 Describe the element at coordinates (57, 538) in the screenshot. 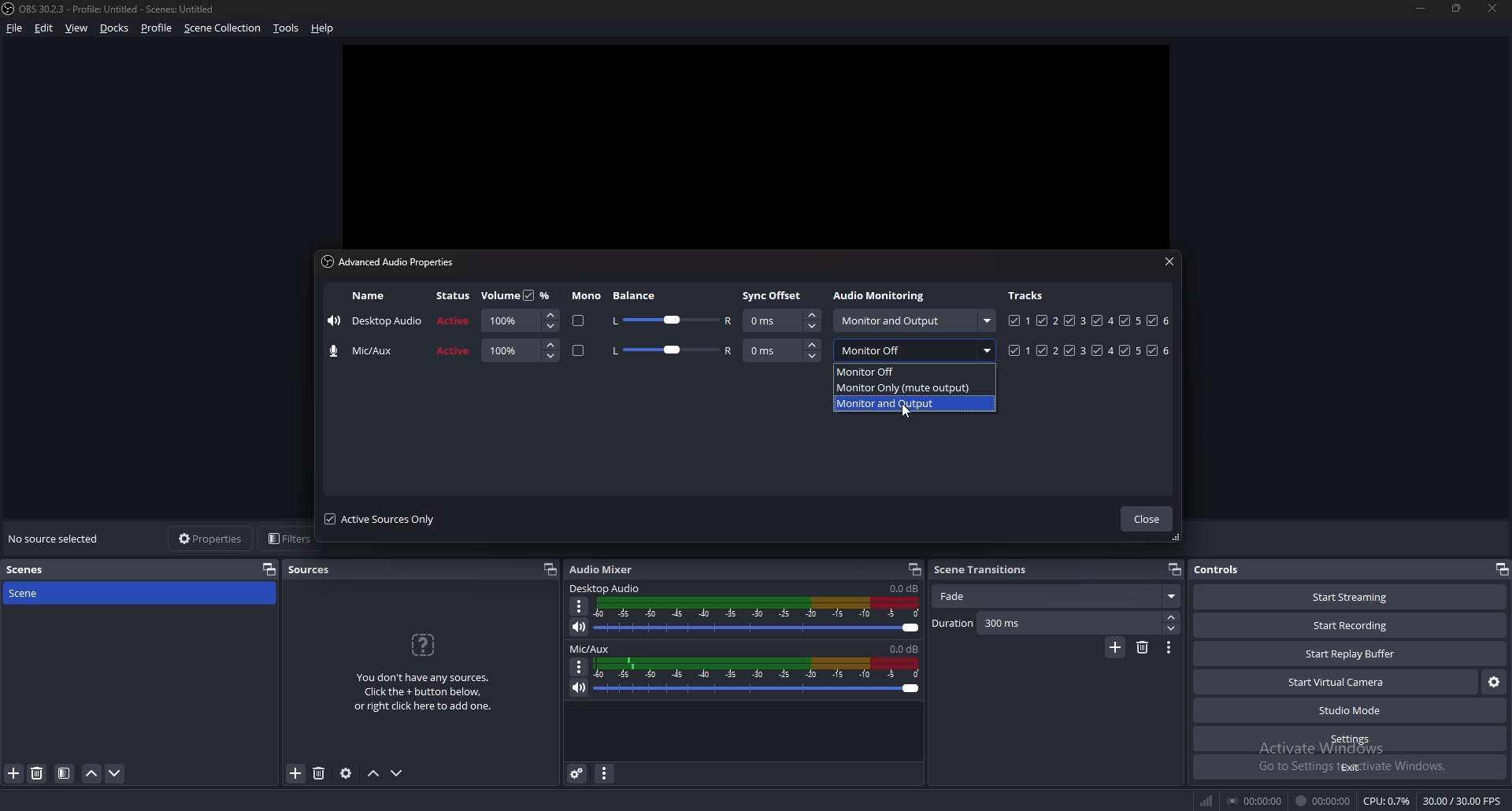

I see `no source selected` at that location.